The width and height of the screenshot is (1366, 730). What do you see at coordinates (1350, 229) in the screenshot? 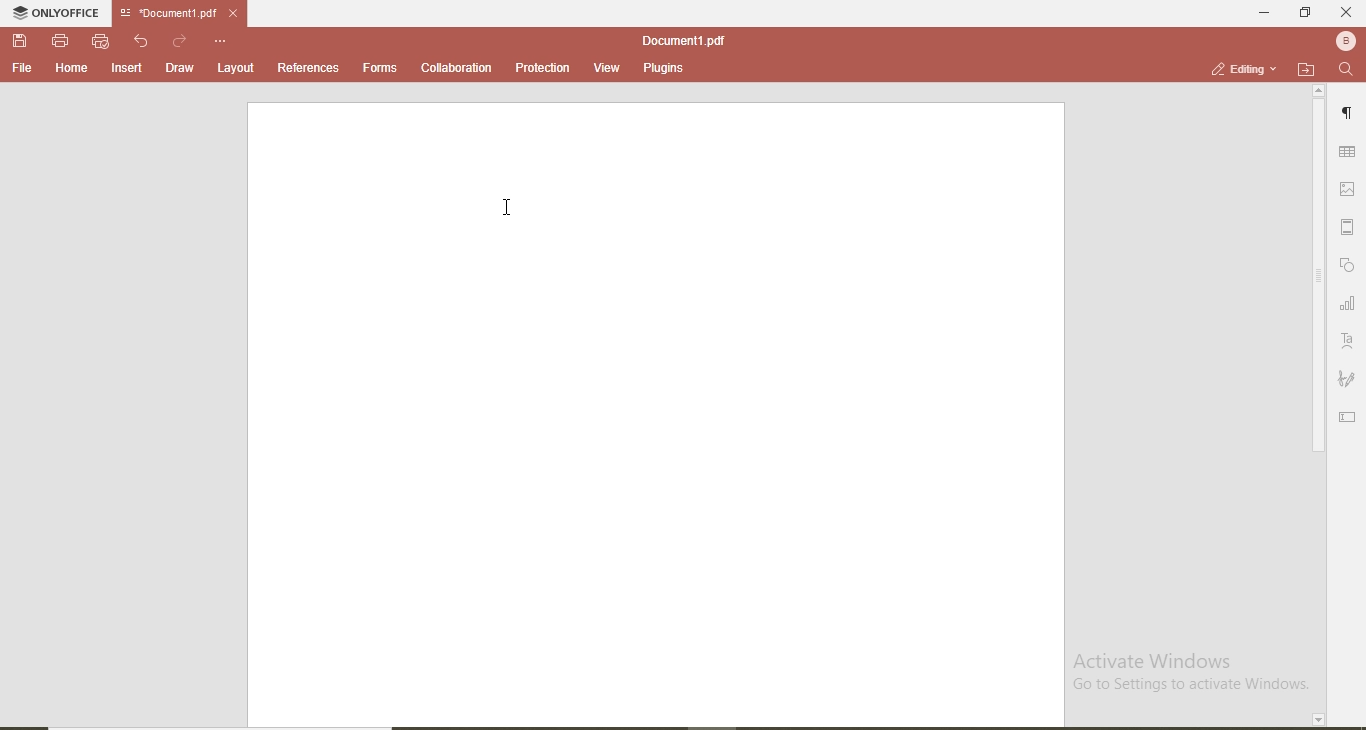
I see `margin` at bounding box center [1350, 229].